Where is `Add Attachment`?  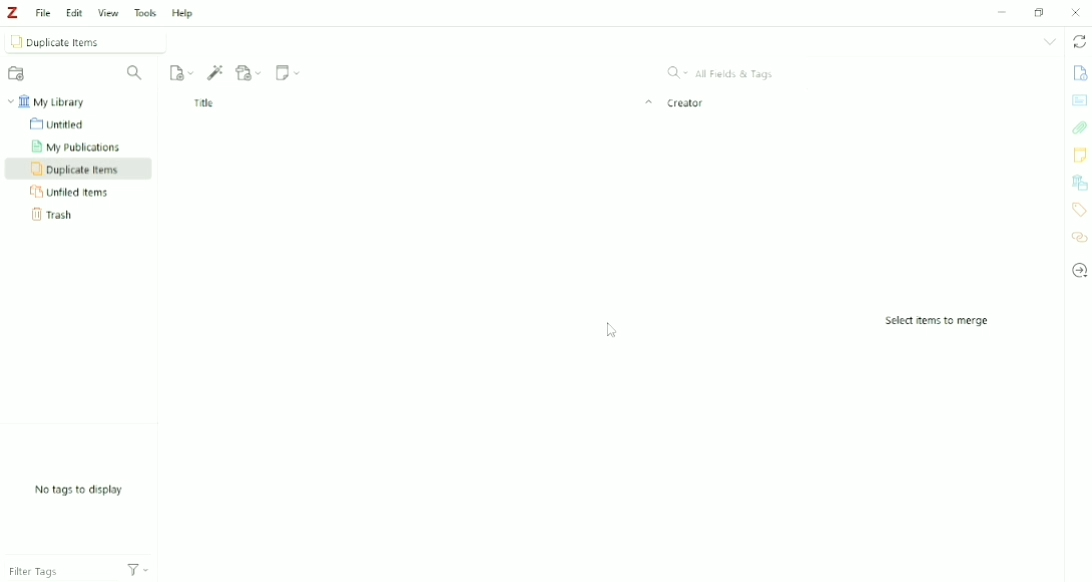
Add Attachment is located at coordinates (250, 73).